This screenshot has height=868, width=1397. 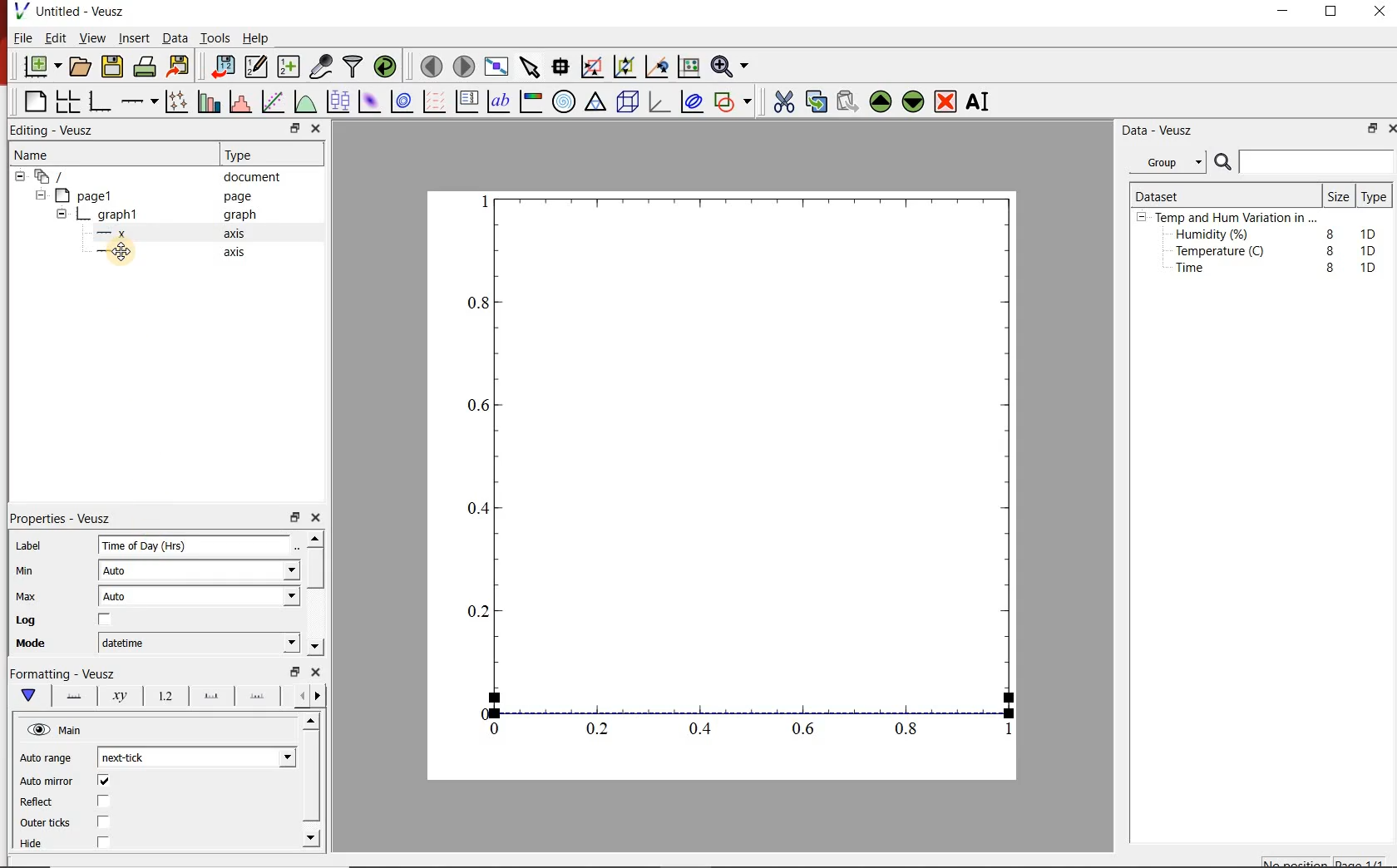 What do you see at coordinates (318, 591) in the screenshot?
I see `scroll bar` at bounding box center [318, 591].